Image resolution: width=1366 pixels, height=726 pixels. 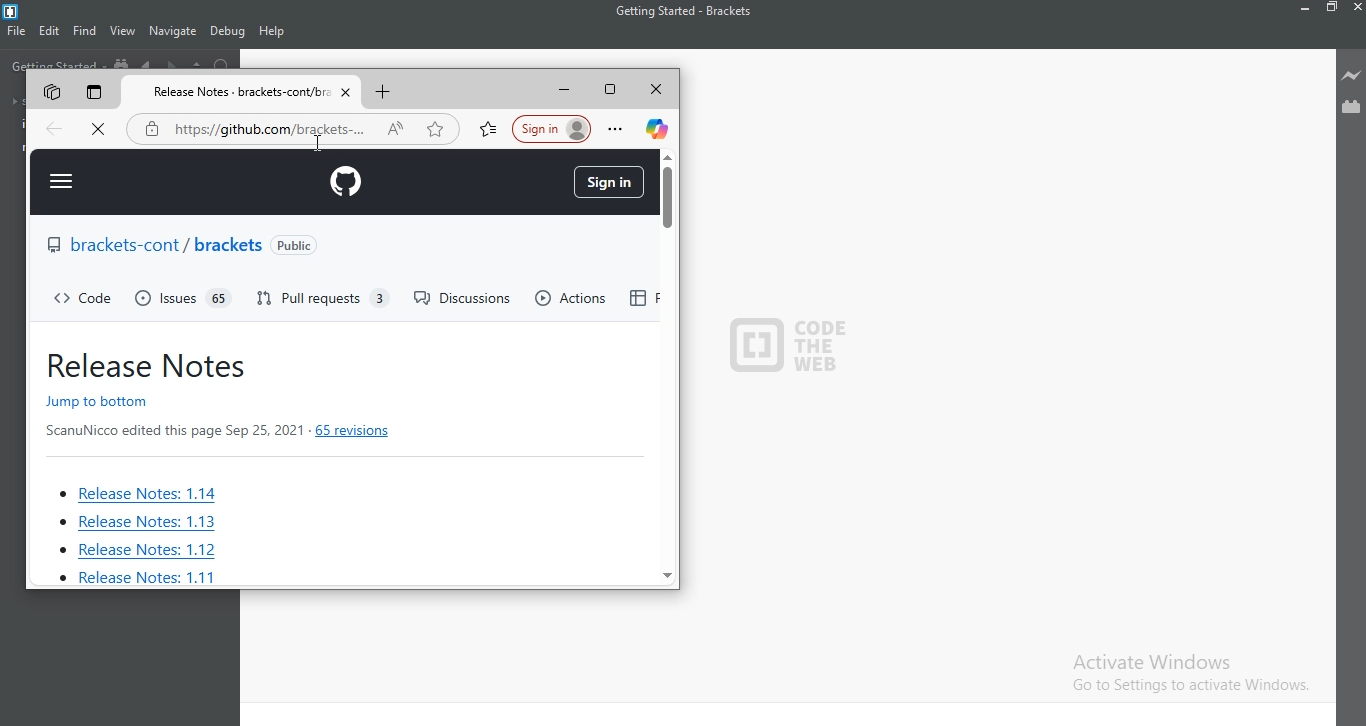 What do you see at coordinates (138, 577) in the screenshot?
I see `release notes 1.11` at bounding box center [138, 577].